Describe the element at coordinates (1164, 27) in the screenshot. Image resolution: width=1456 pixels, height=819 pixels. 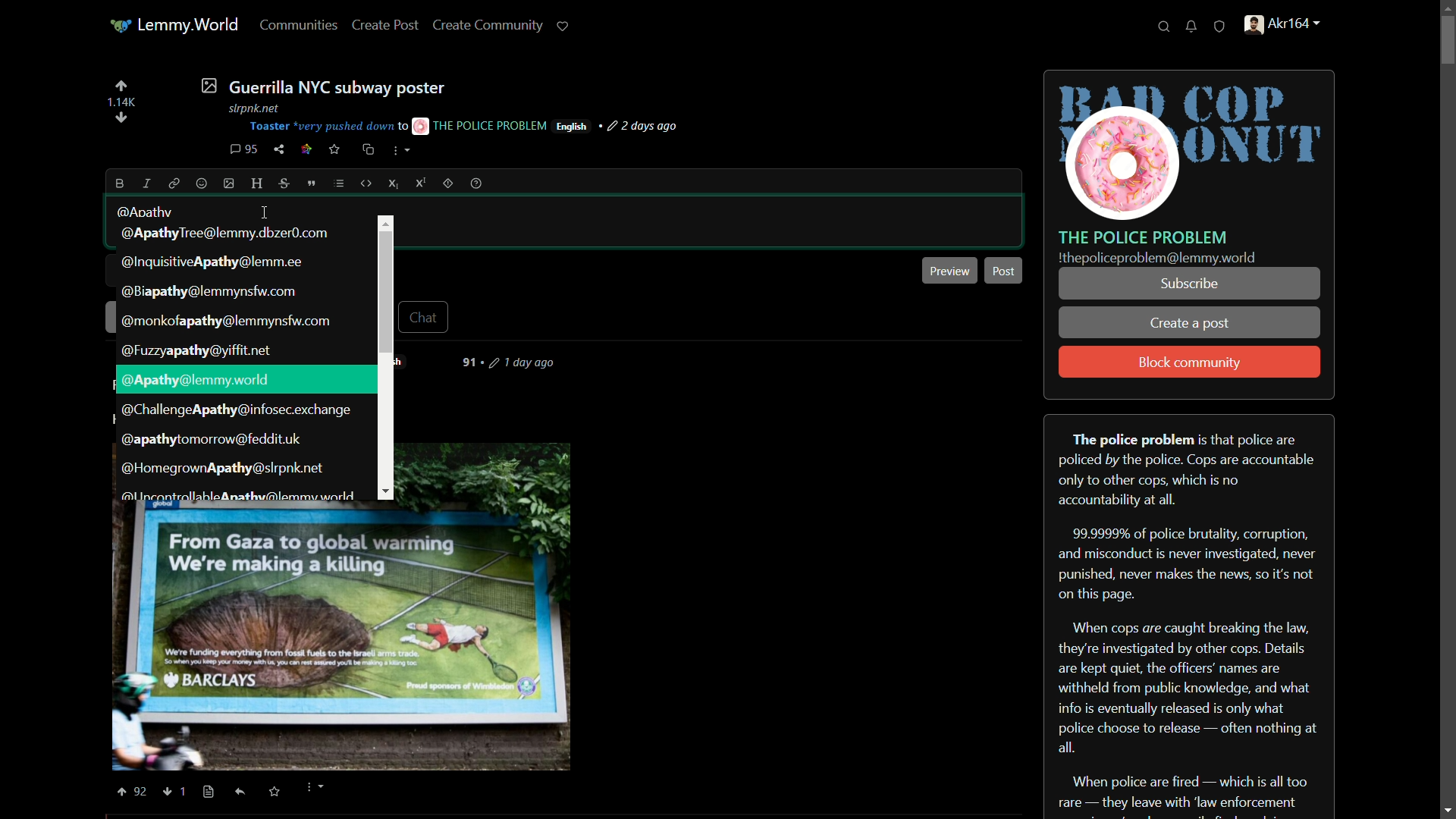
I see `search` at that location.